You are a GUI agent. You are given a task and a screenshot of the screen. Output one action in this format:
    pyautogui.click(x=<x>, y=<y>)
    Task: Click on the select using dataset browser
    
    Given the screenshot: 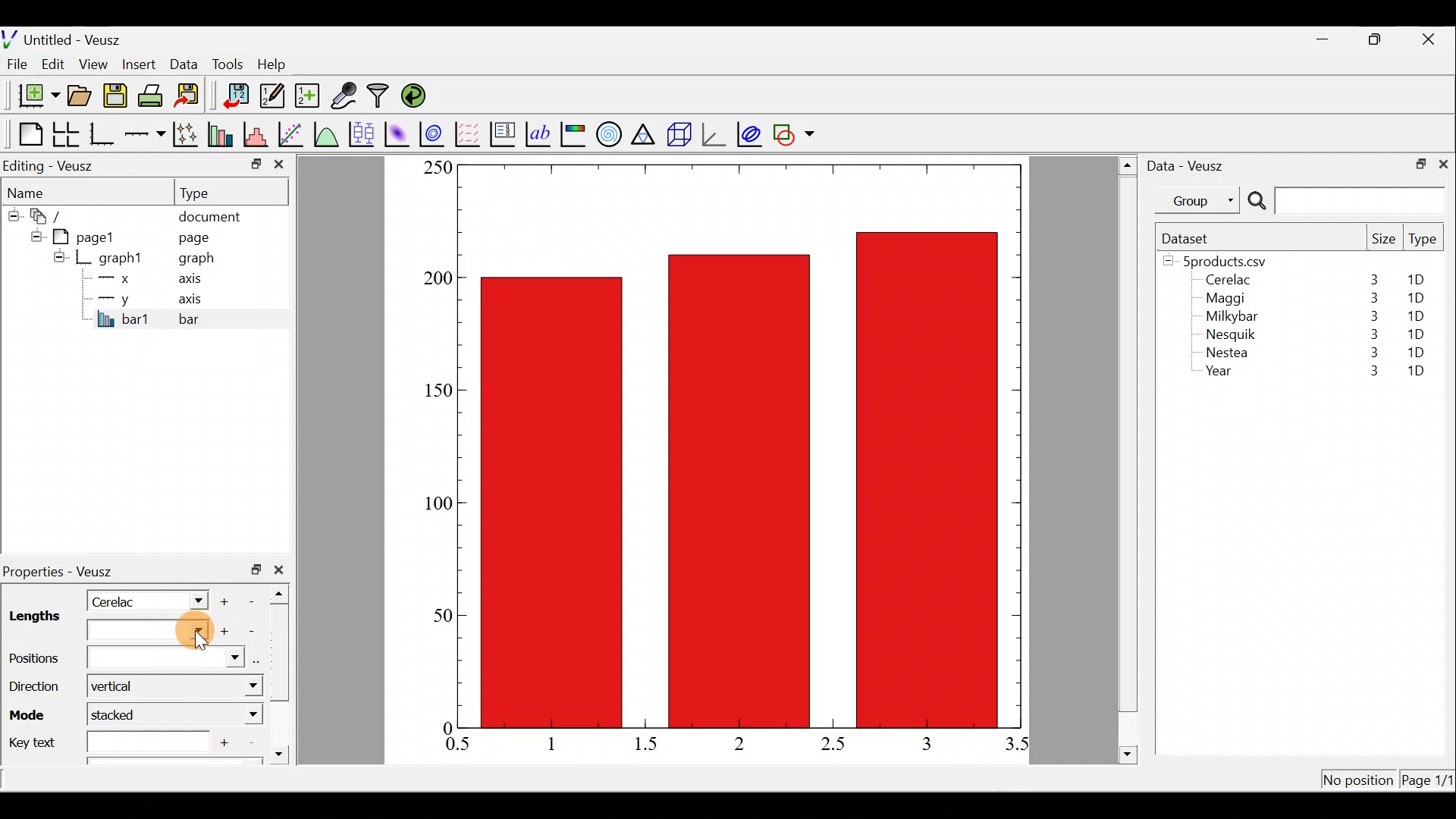 What is the action you would take?
    pyautogui.click(x=260, y=661)
    